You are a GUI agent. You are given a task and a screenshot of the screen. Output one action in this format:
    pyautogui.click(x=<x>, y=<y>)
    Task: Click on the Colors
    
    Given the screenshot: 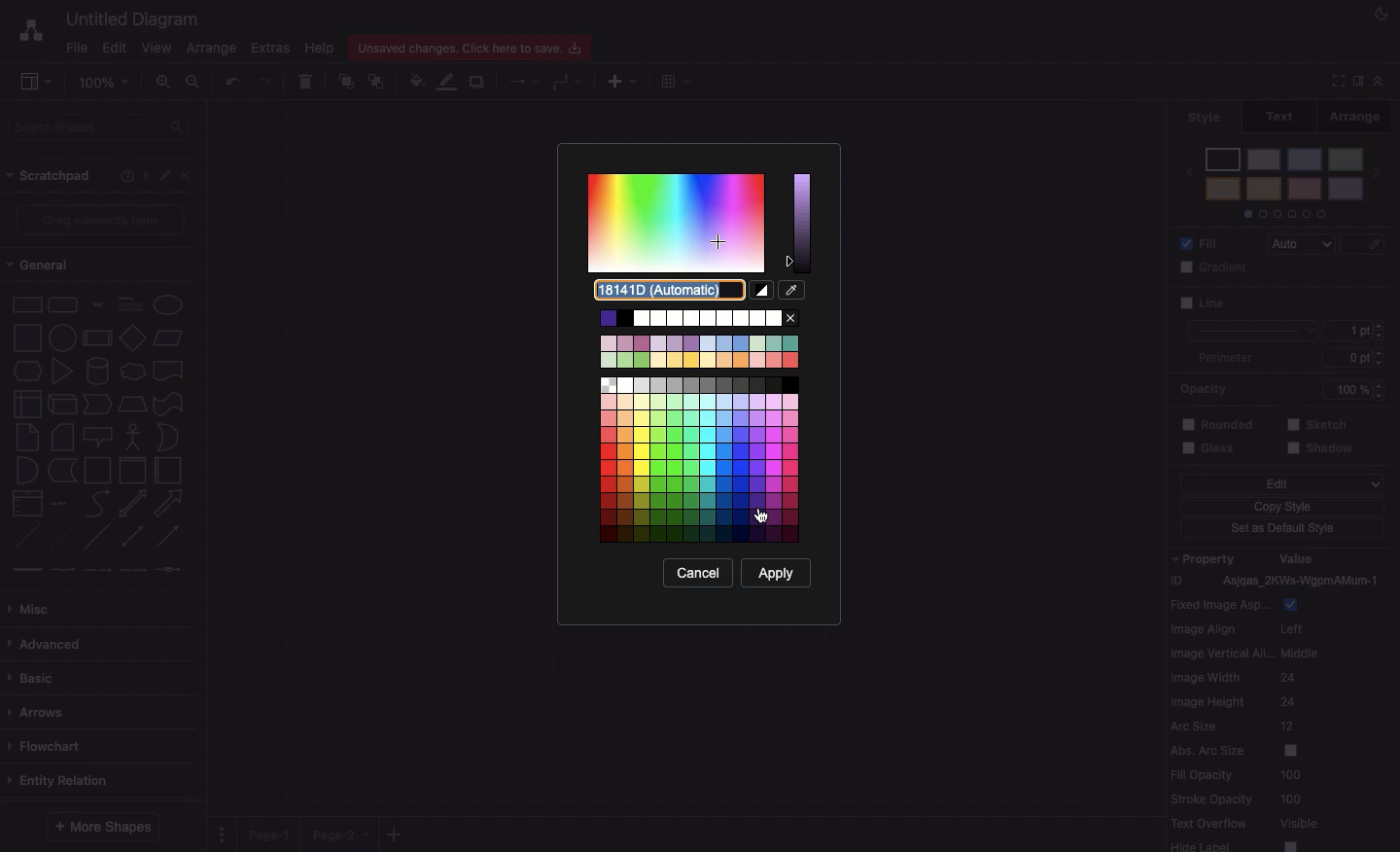 What is the action you would take?
    pyautogui.click(x=701, y=425)
    